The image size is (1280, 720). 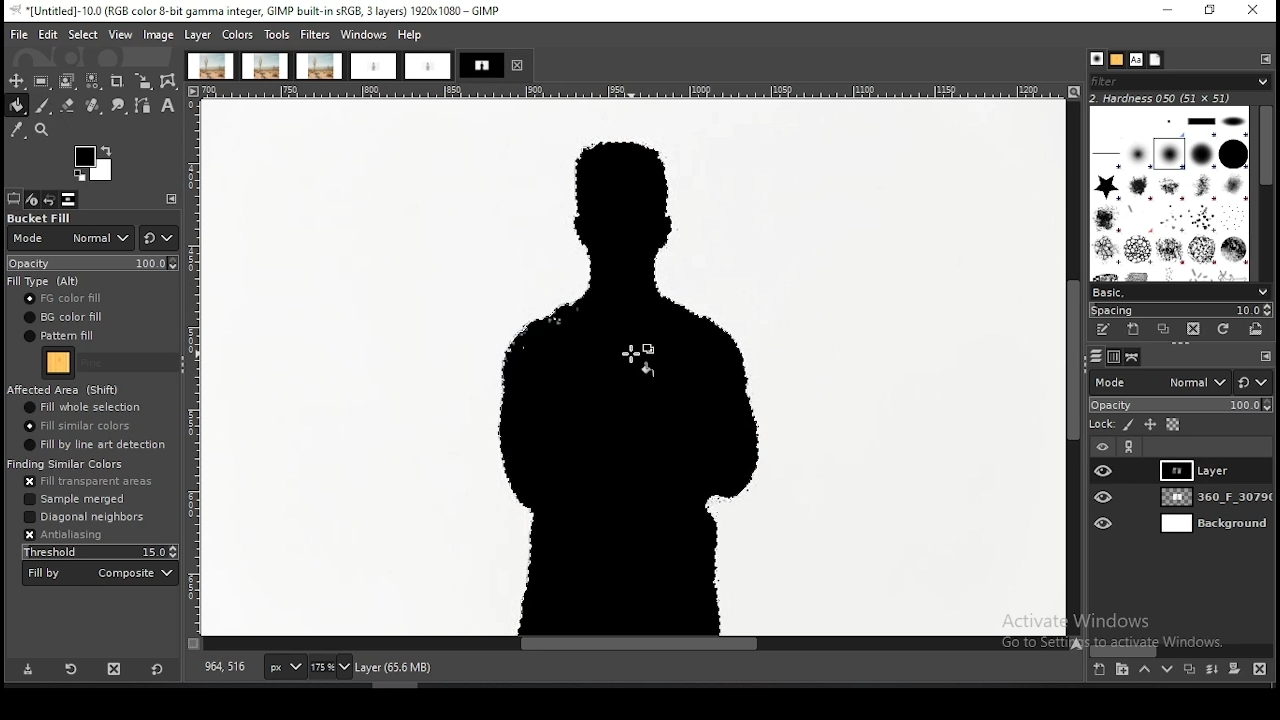 What do you see at coordinates (85, 34) in the screenshot?
I see `select` at bounding box center [85, 34].